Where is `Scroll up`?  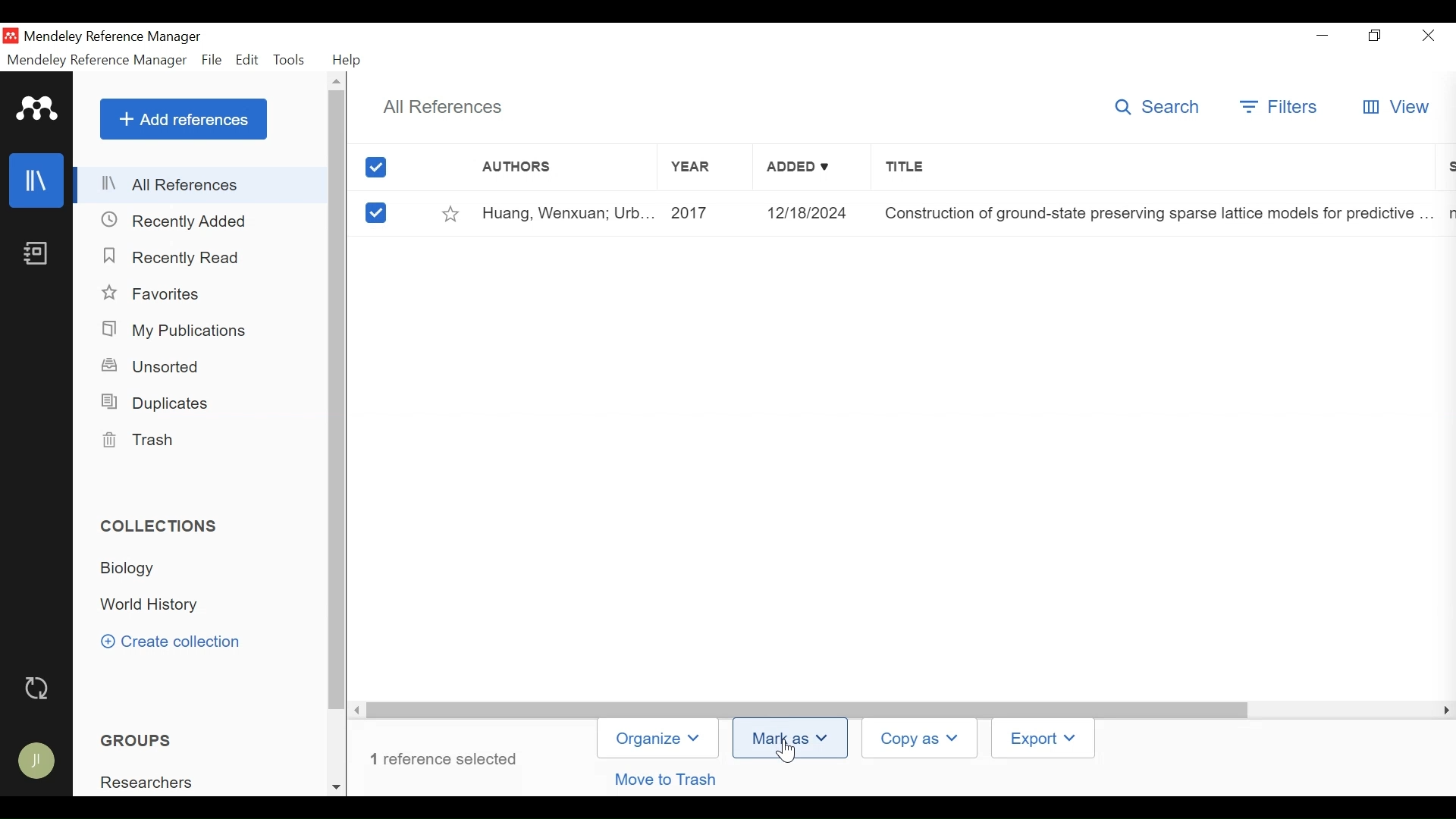 Scroll up is located at coordinates (336, 80).